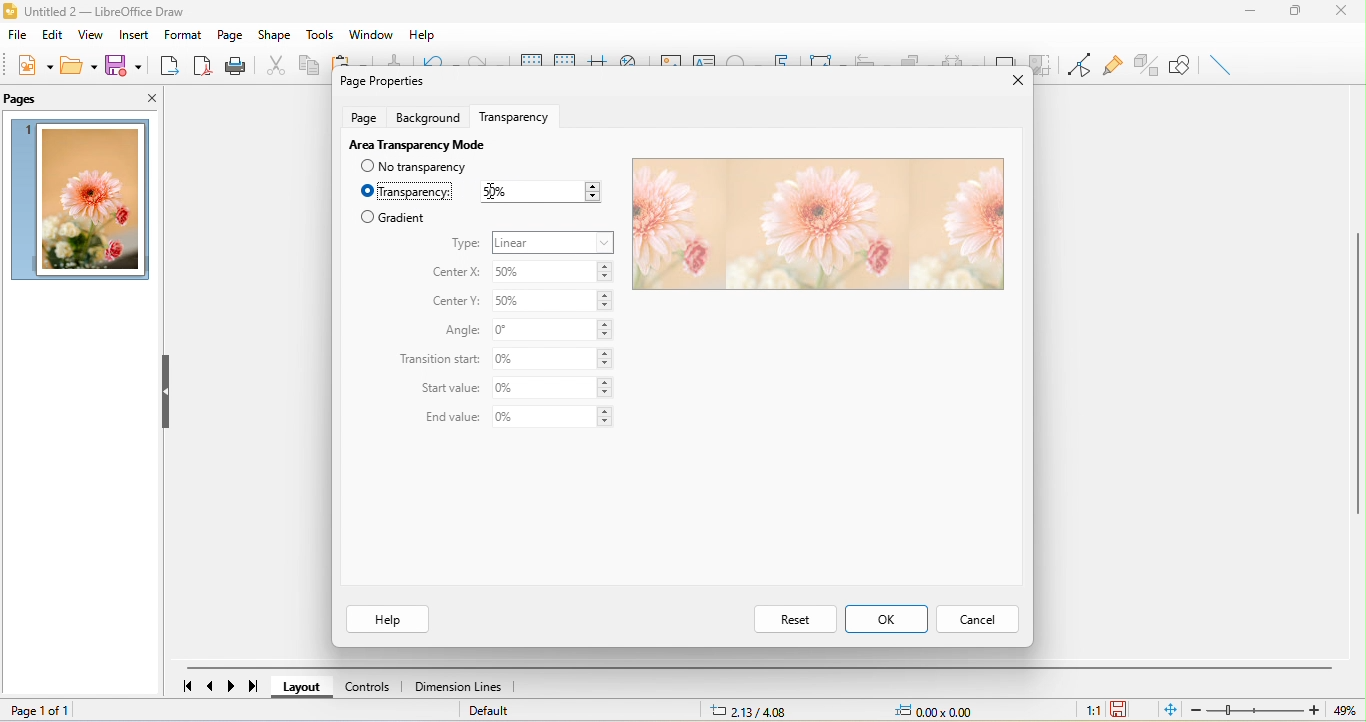 The image size is (1366, 722). I want to click on center x, so click(454, 273).